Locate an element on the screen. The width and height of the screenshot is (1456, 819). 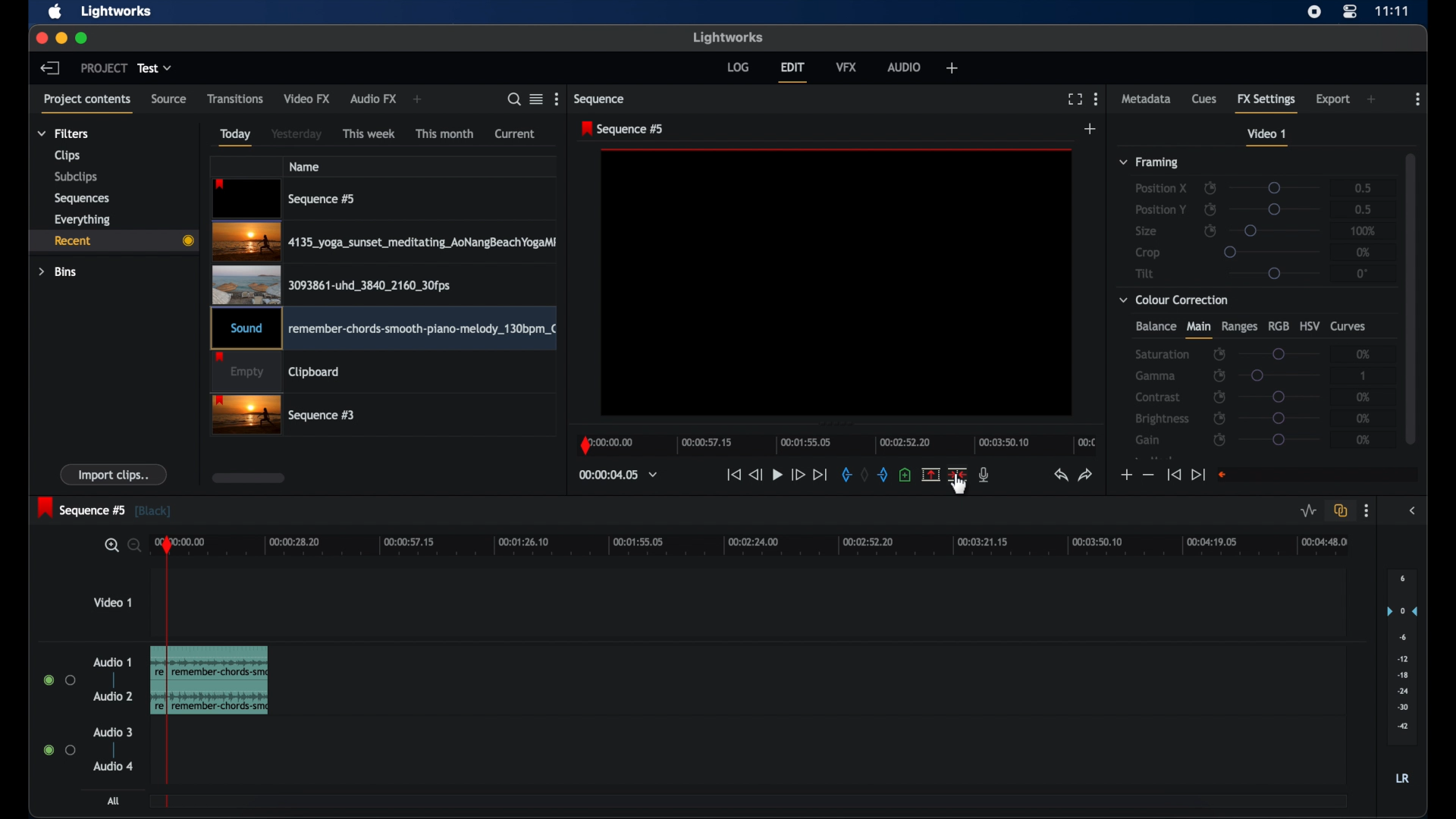
test dropdown is located at coordinates (155, 68).